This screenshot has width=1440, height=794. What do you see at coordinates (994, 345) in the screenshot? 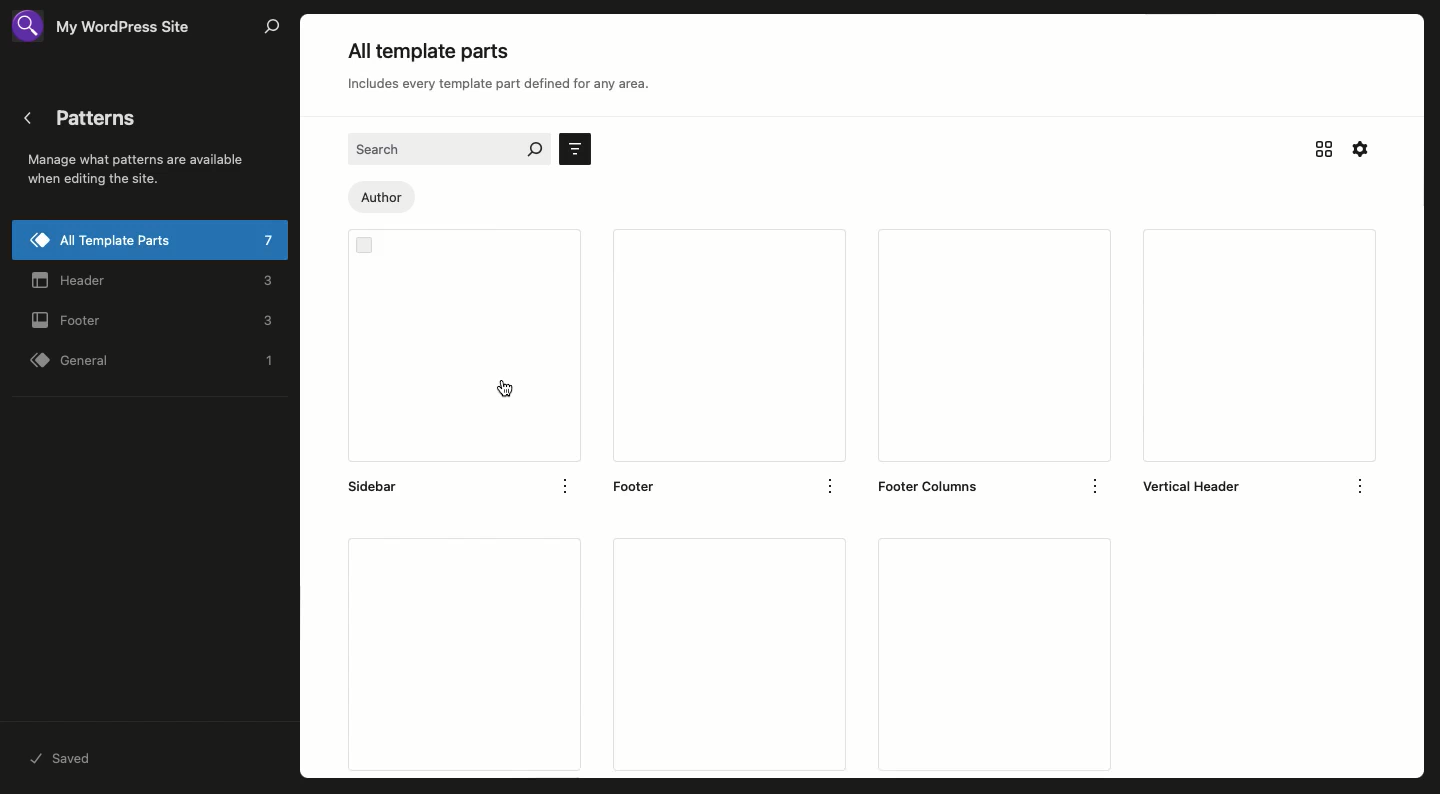
I see `Footer columns` at bounding box center [994, 345].